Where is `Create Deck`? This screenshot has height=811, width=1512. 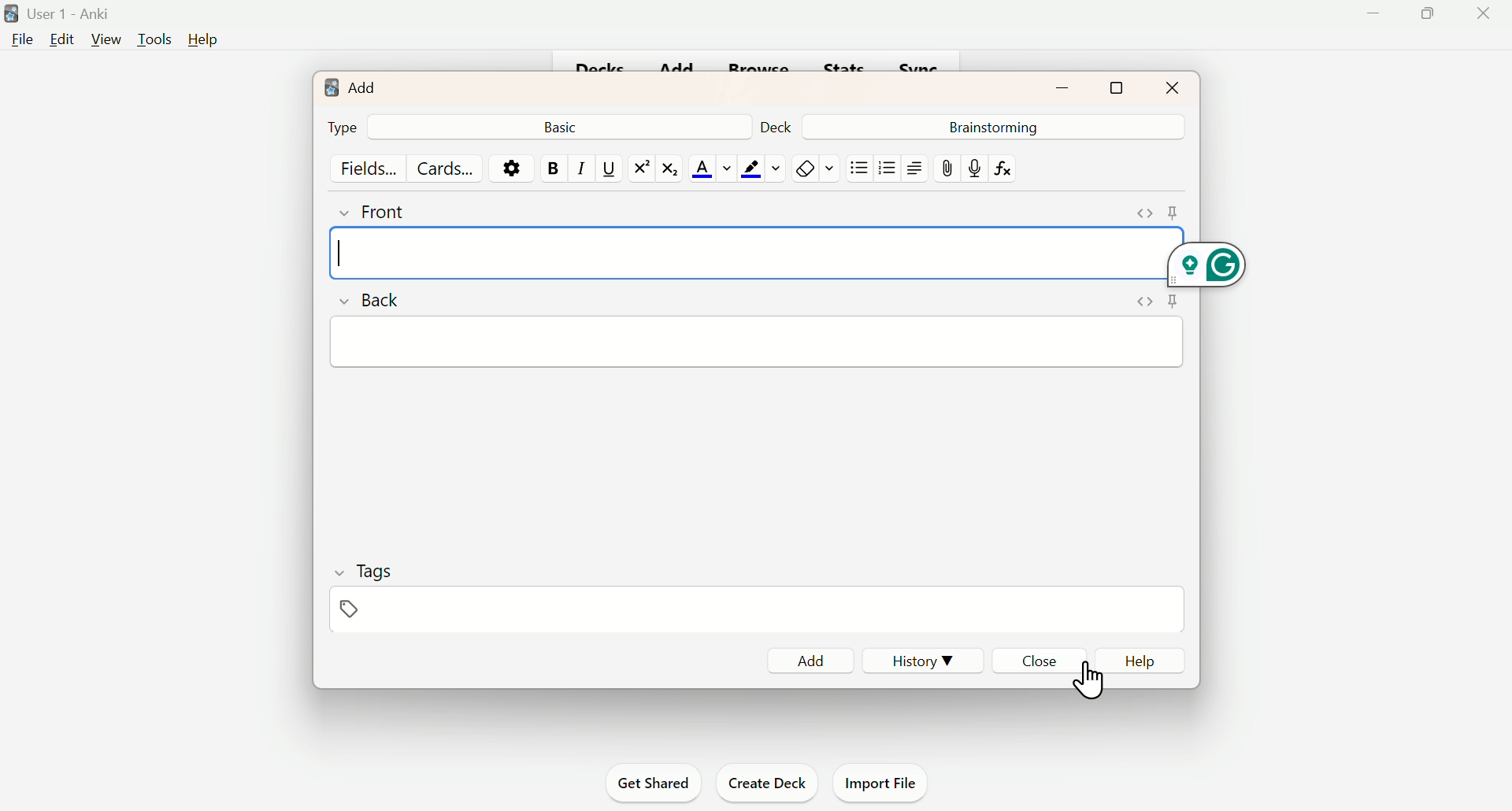
Create Deck is located at coordinates (764, 781).